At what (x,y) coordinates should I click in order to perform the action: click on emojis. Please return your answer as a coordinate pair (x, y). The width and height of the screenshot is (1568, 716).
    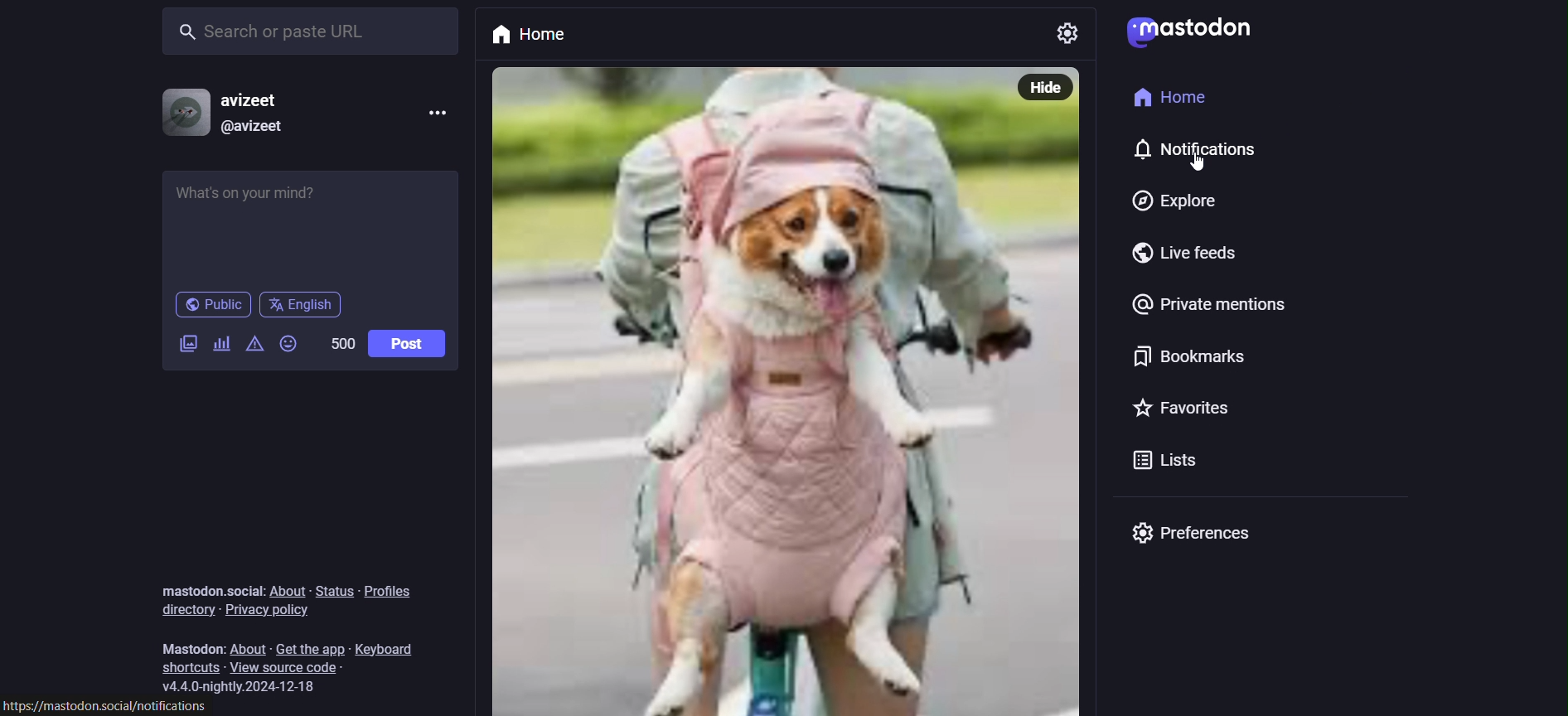
    Looking at the image, I should click on (290, 346).